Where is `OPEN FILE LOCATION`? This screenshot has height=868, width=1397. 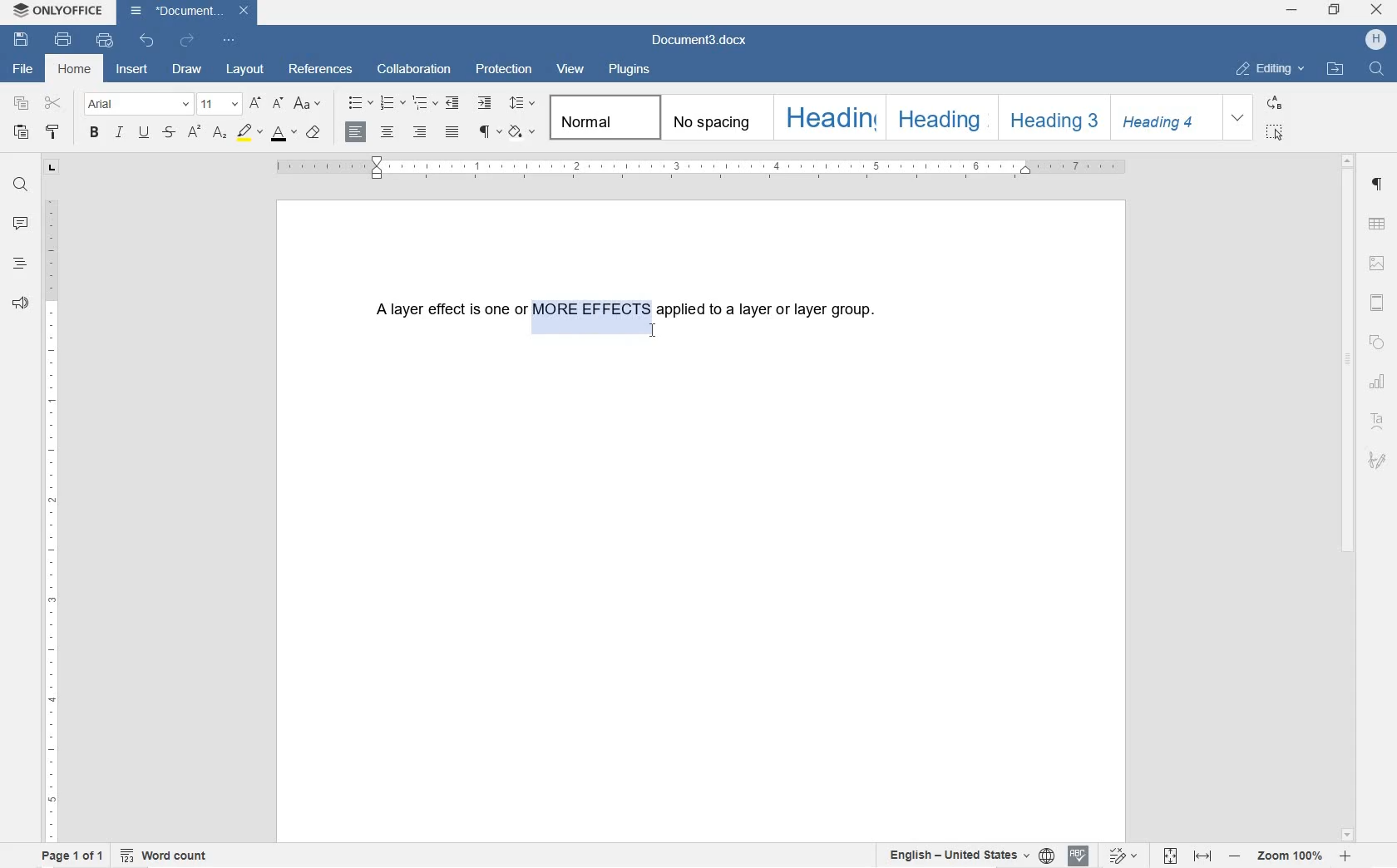 OPEN FILE LOCATION is located at coordinates (1337, 70).